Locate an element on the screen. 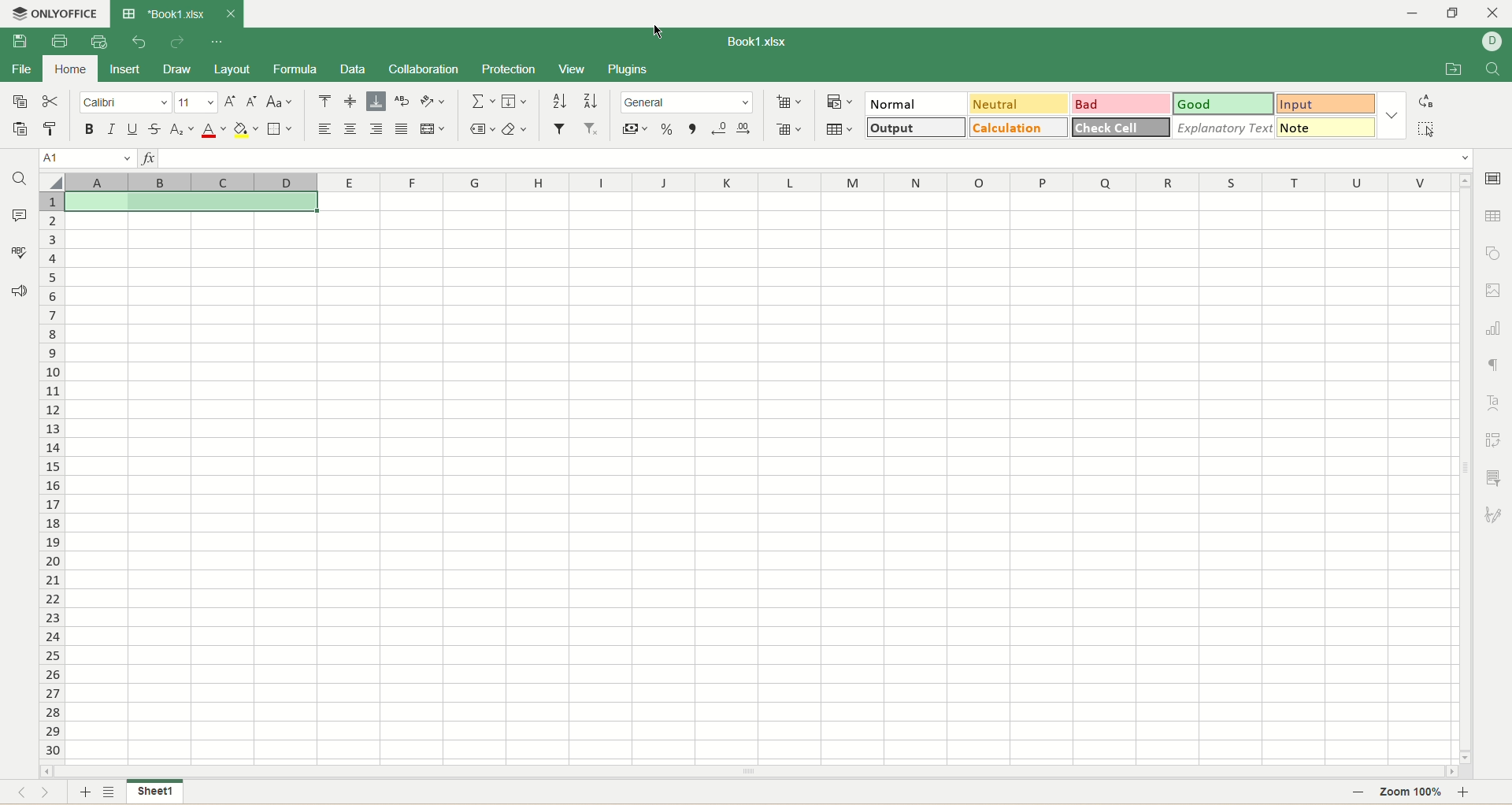 The height and width of the screenshot is (805, 1512). change case is located at coordinates (280, 102).